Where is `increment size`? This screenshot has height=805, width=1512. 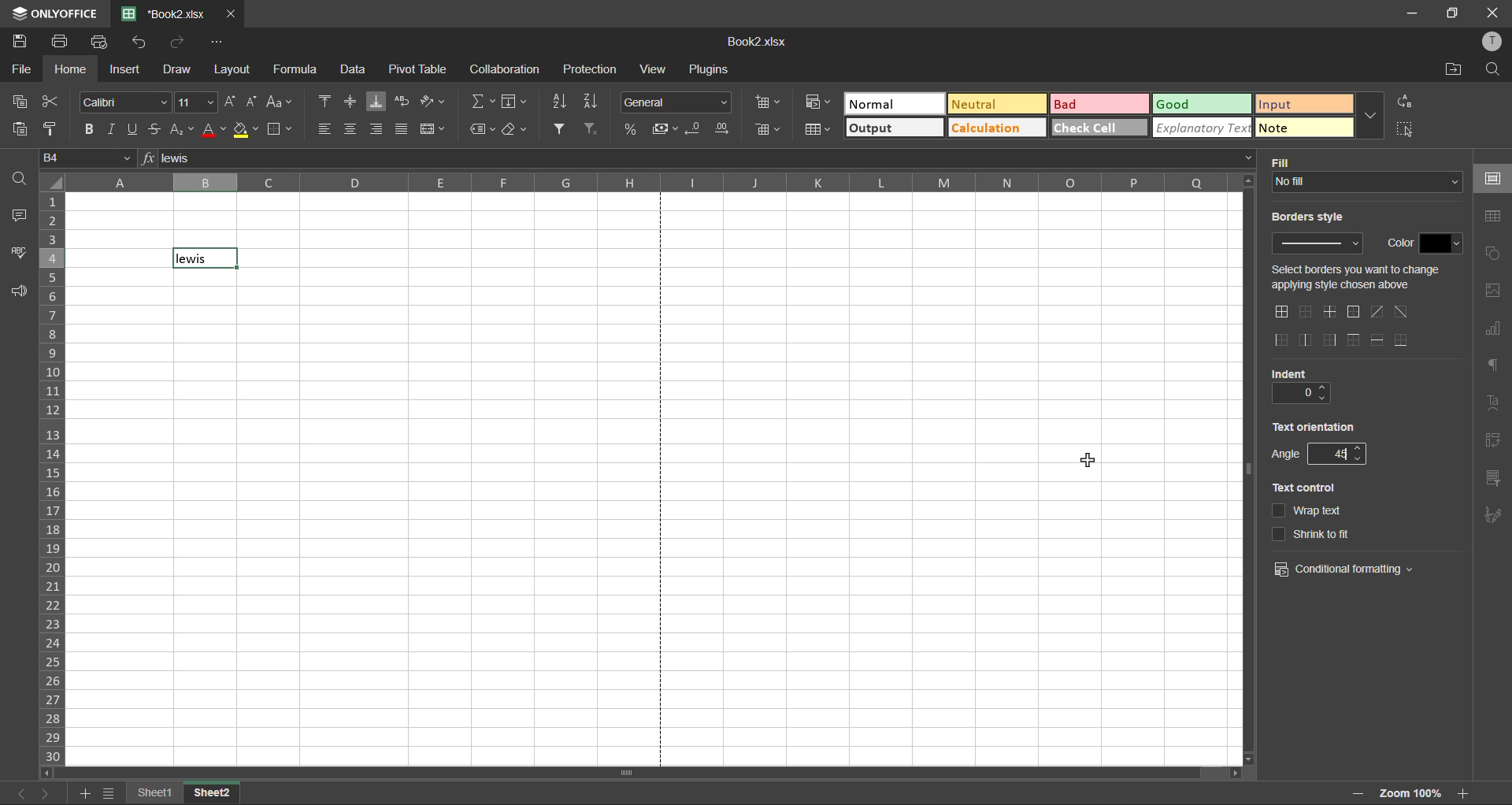
increment size is located at coordinates (230, 103).